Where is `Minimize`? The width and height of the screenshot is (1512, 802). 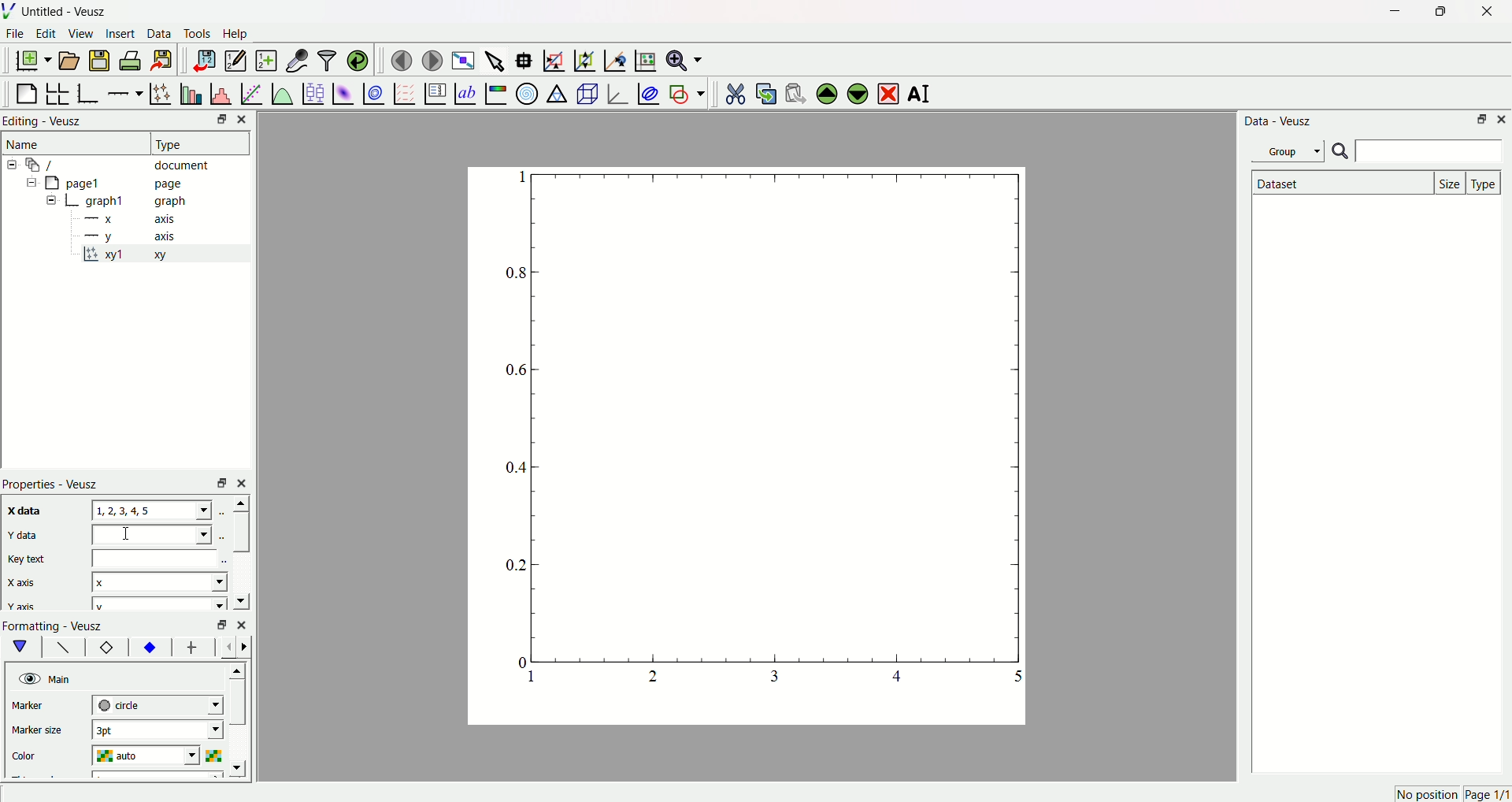 Minimize is located at coordinates (1391, 12).